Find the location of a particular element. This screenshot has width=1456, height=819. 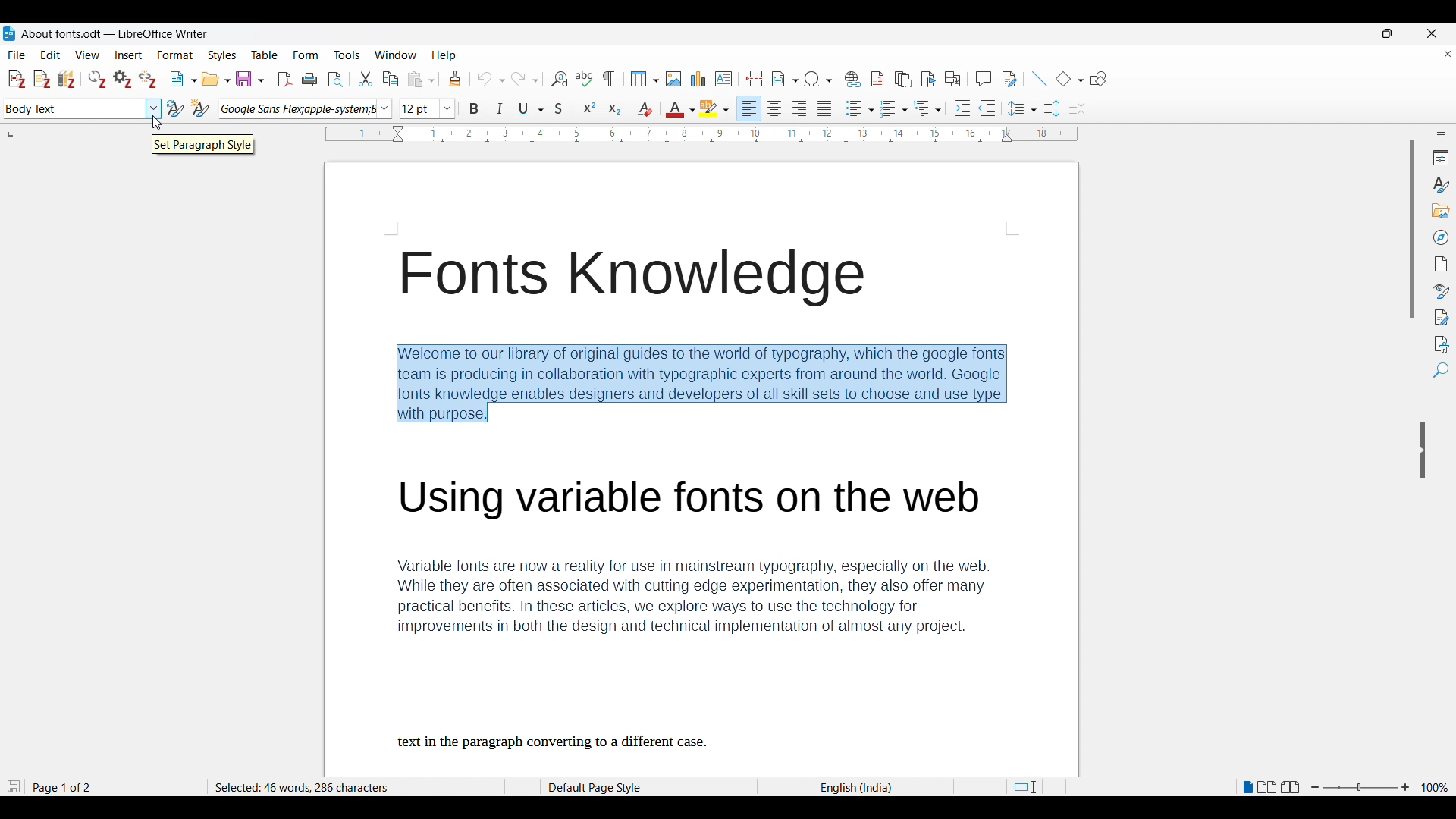

Right alignment is located at coordinates (799, 108).